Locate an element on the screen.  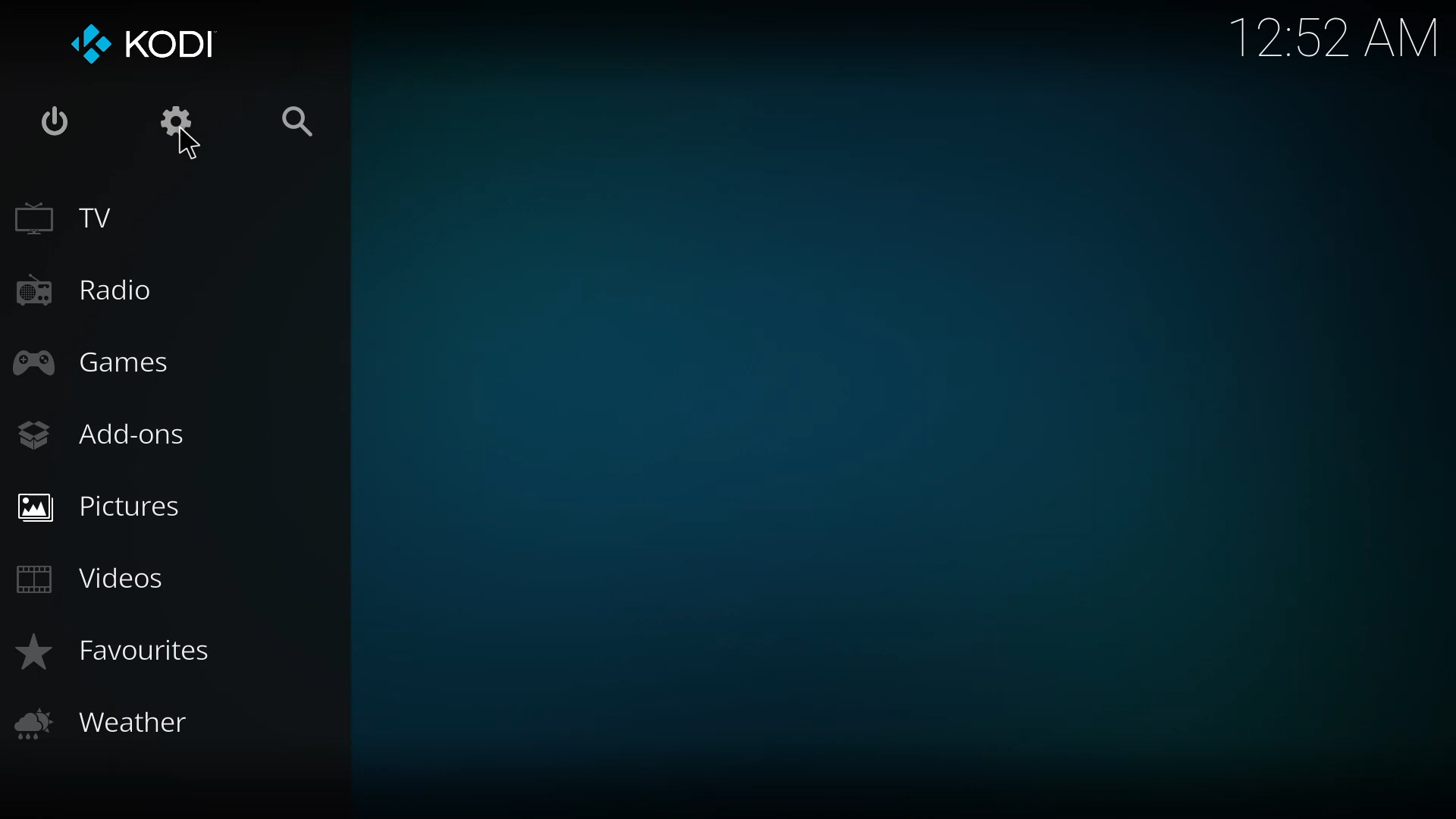
search is located at coordinates (306, 121).